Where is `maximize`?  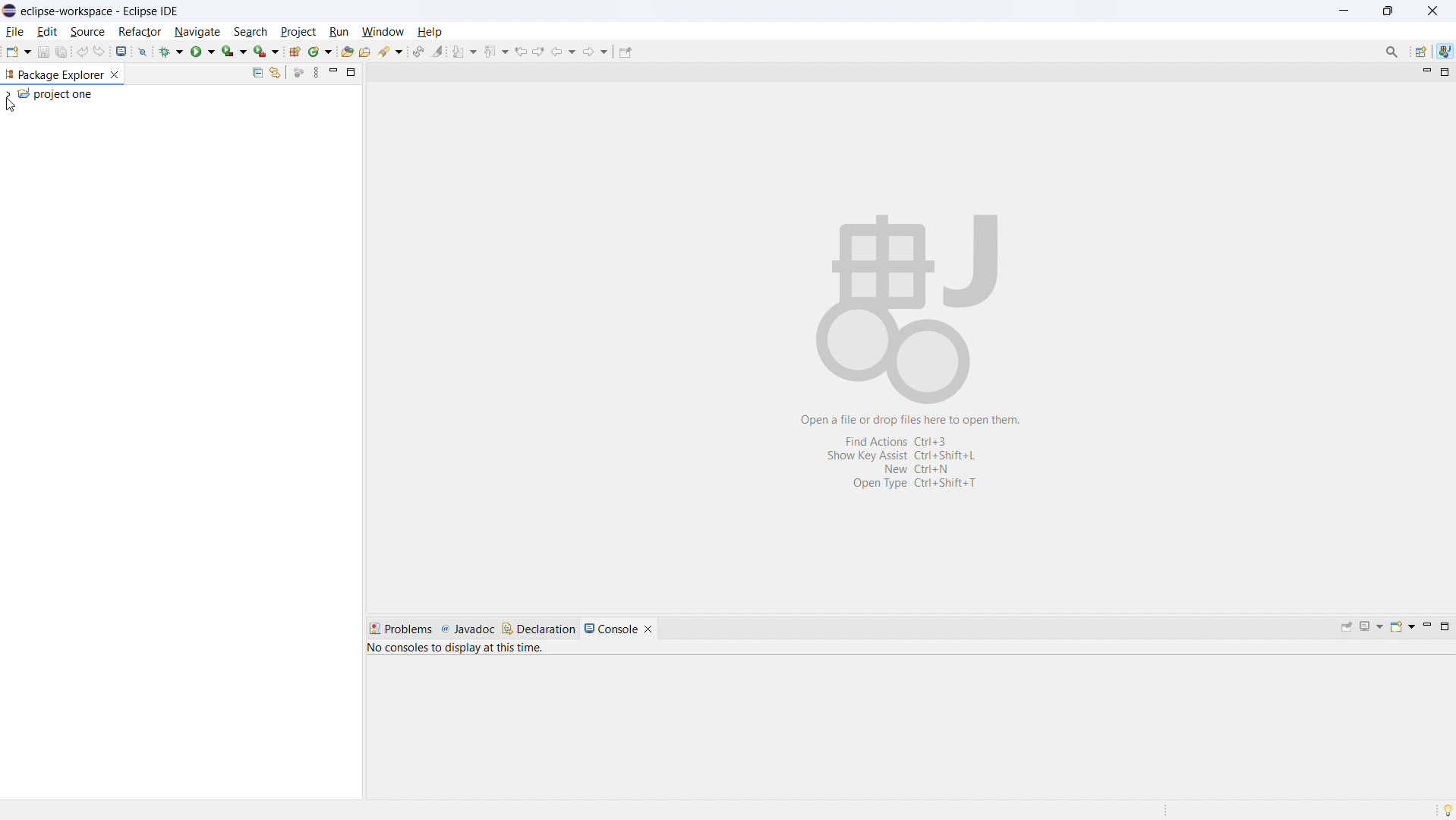 maximize is located at coordinates (1444, 73).